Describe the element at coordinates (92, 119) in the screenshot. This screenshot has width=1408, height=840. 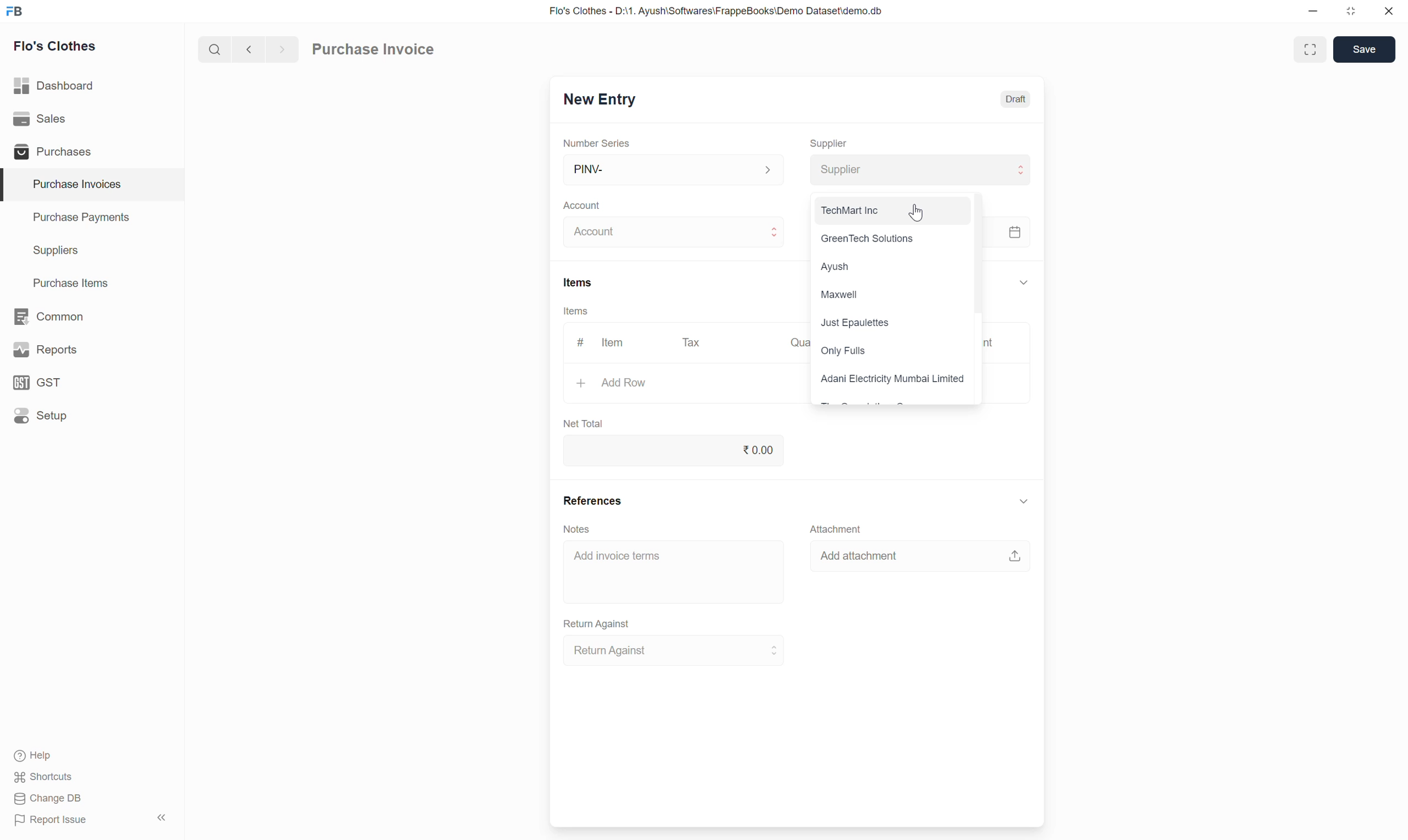
I see `Sales` at that location.